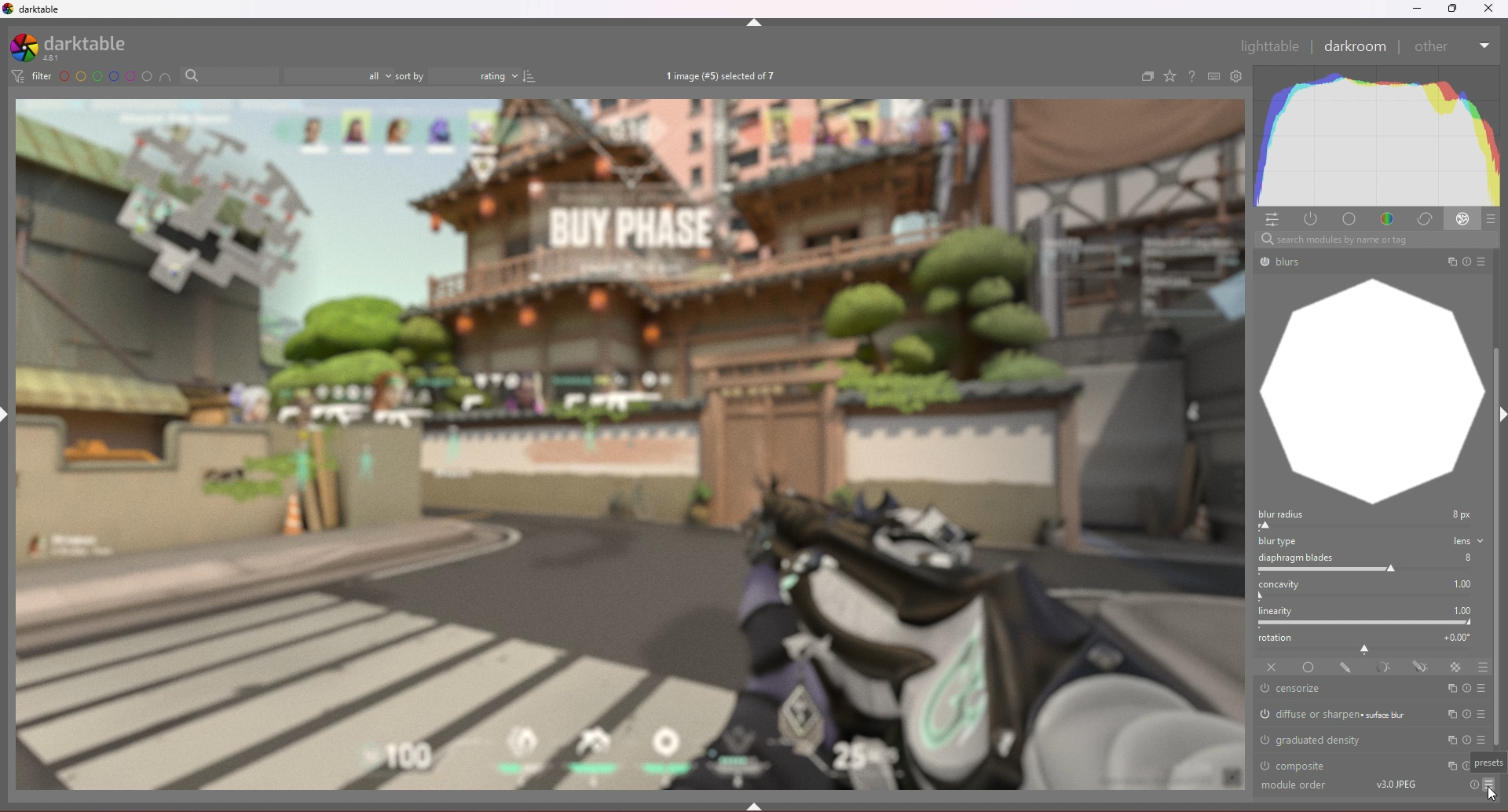 This screenshot has height=812, width=1508. I want to click on multi instances actions, so click(1449, 715).